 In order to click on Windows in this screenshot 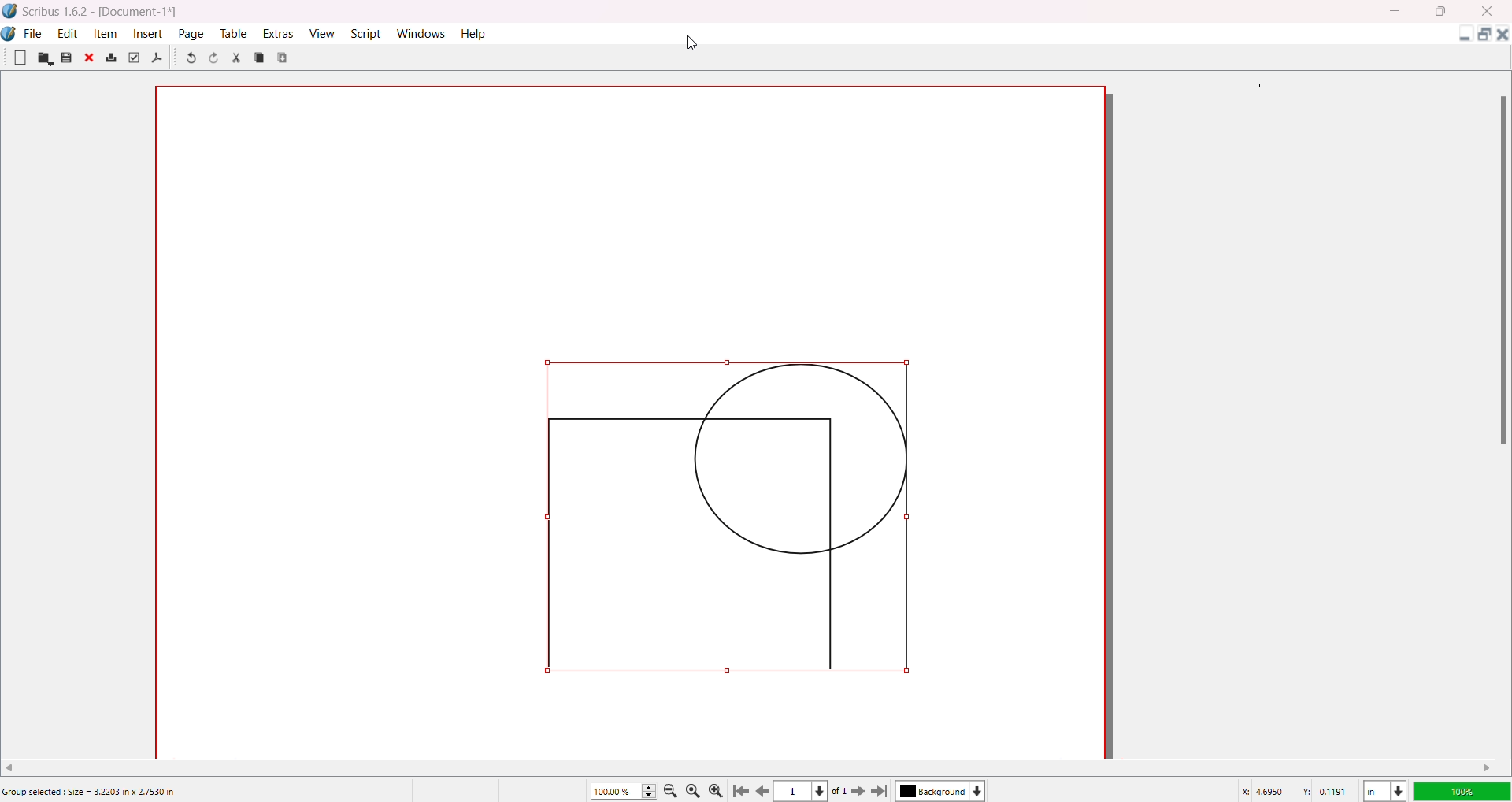, I will do `click(424, 33)`.